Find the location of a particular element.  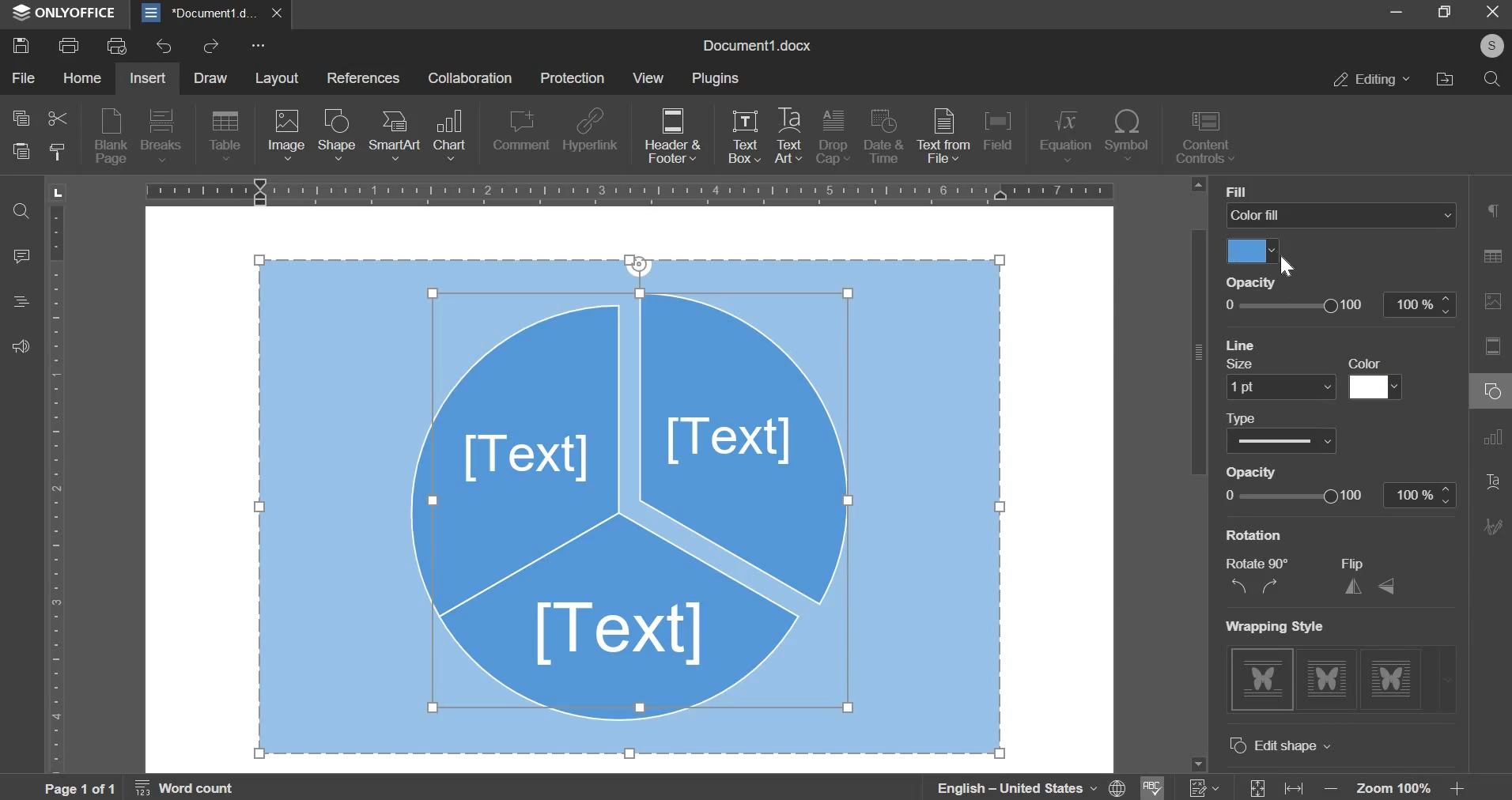

Minimize is located at coordinates (1397, 13).